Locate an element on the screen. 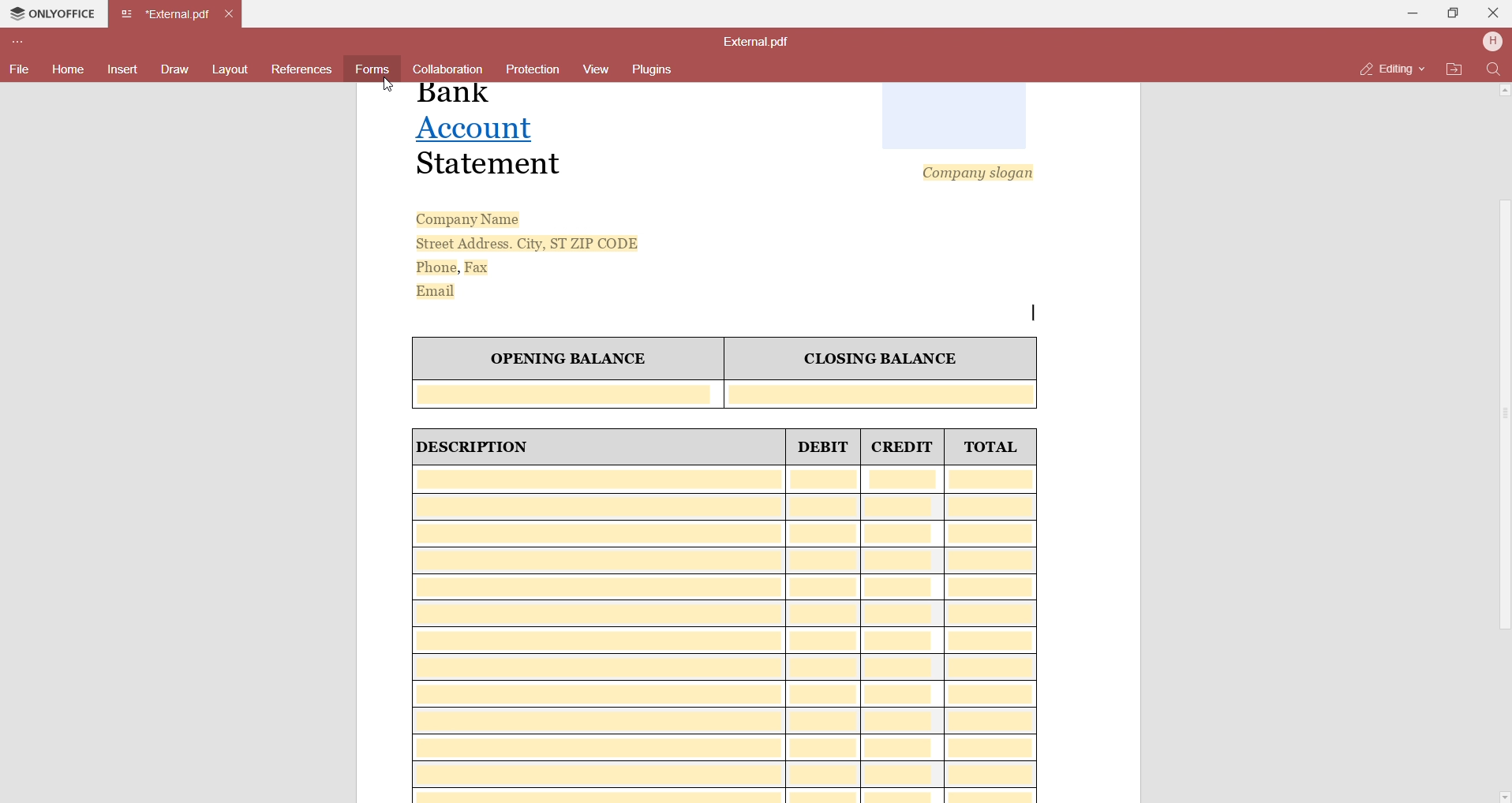  Close Tab is located at coordinates (231, 12).